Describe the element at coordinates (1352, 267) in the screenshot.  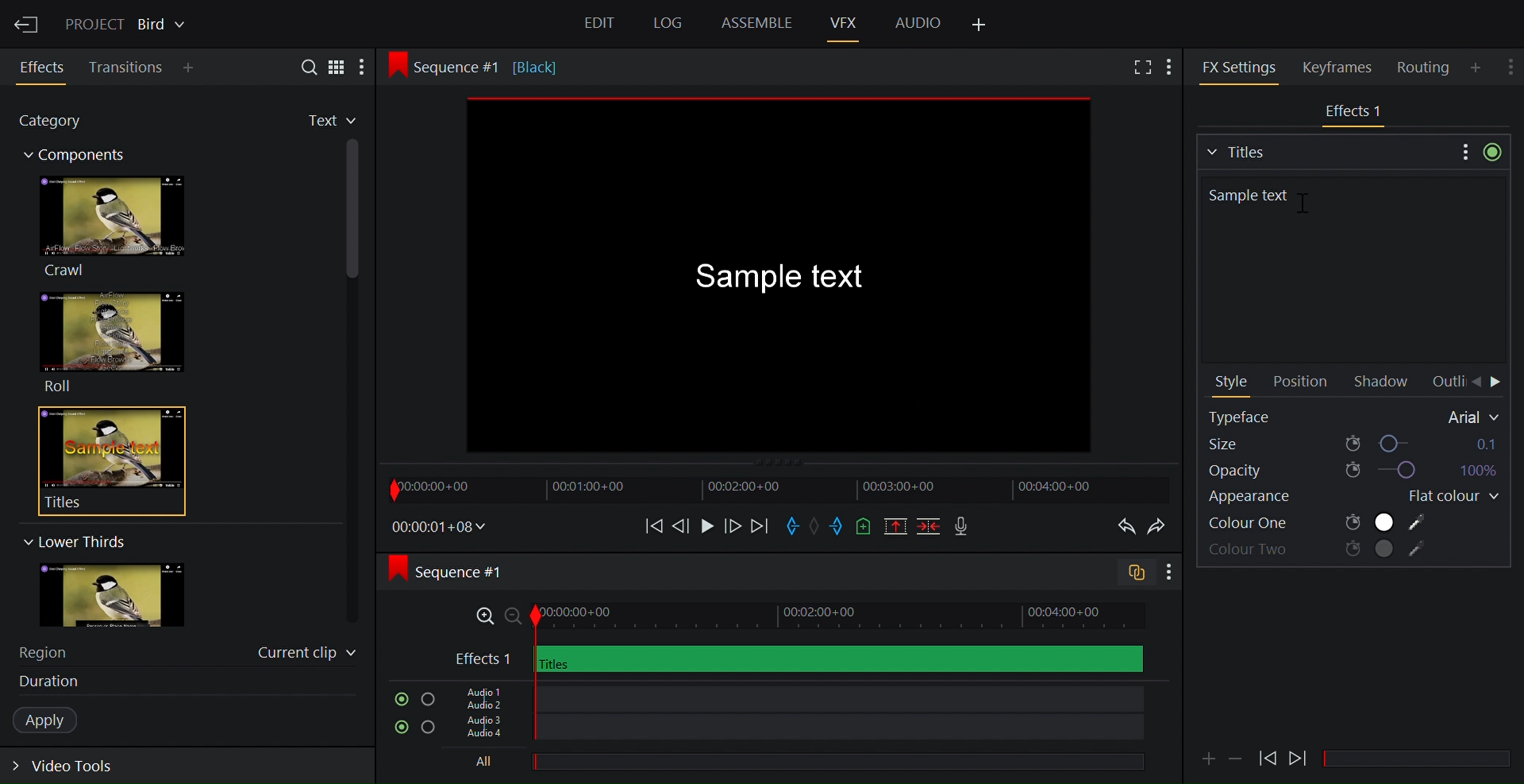
I see `Title name` at that location.